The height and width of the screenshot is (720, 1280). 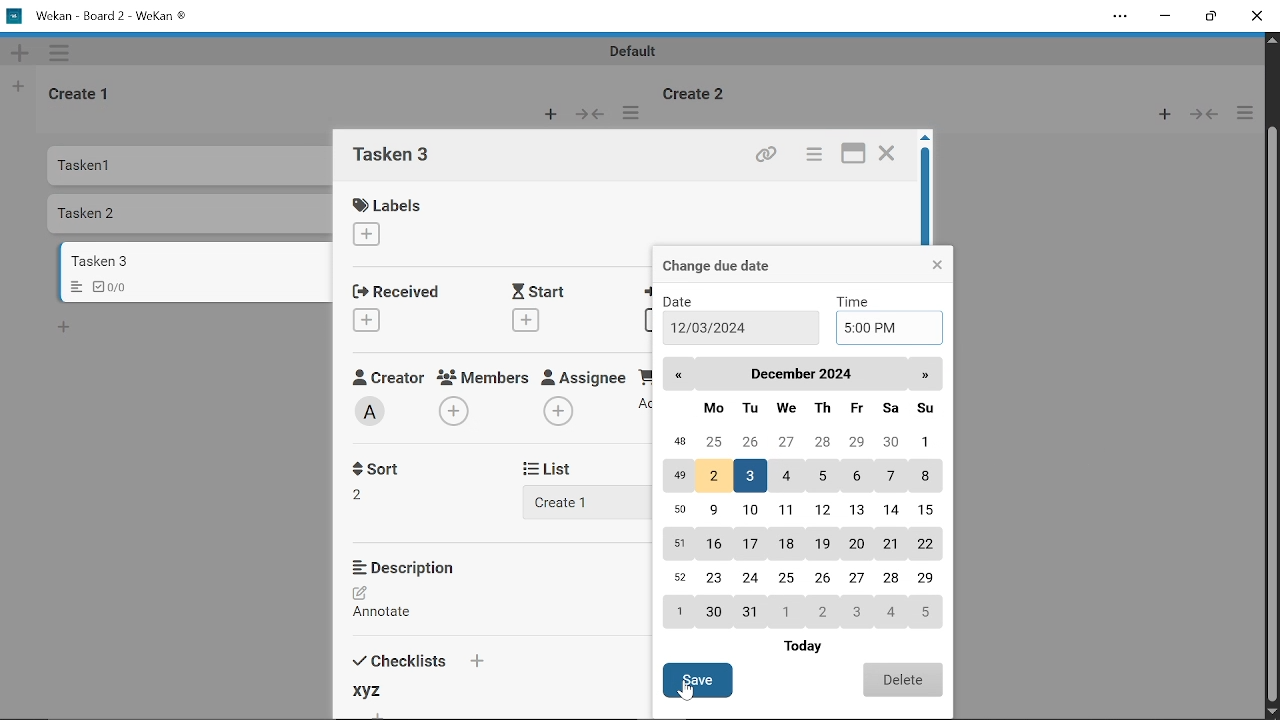 I want to click on Close, so click(x=936, y=264).